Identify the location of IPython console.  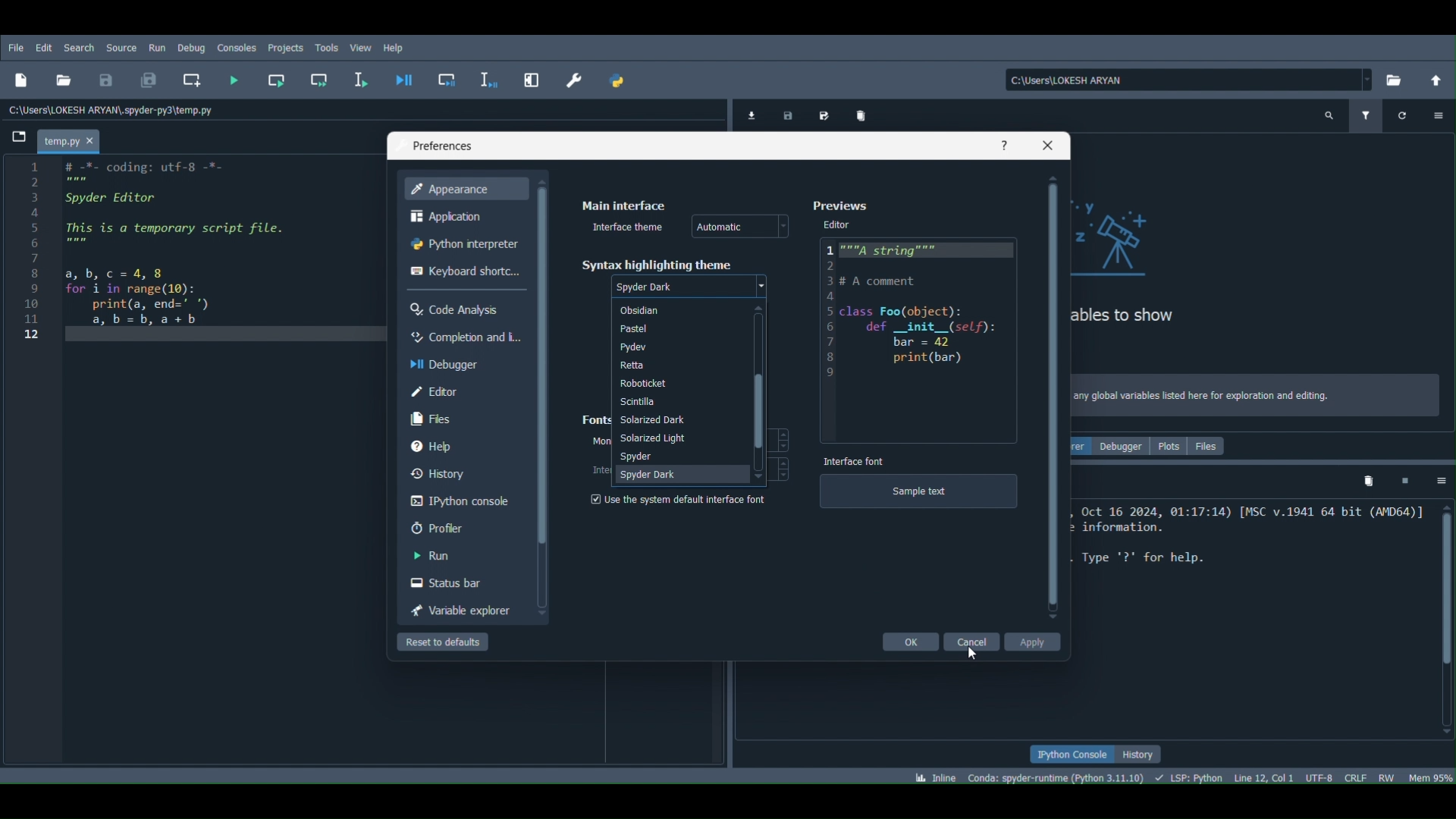
(1073, 756).